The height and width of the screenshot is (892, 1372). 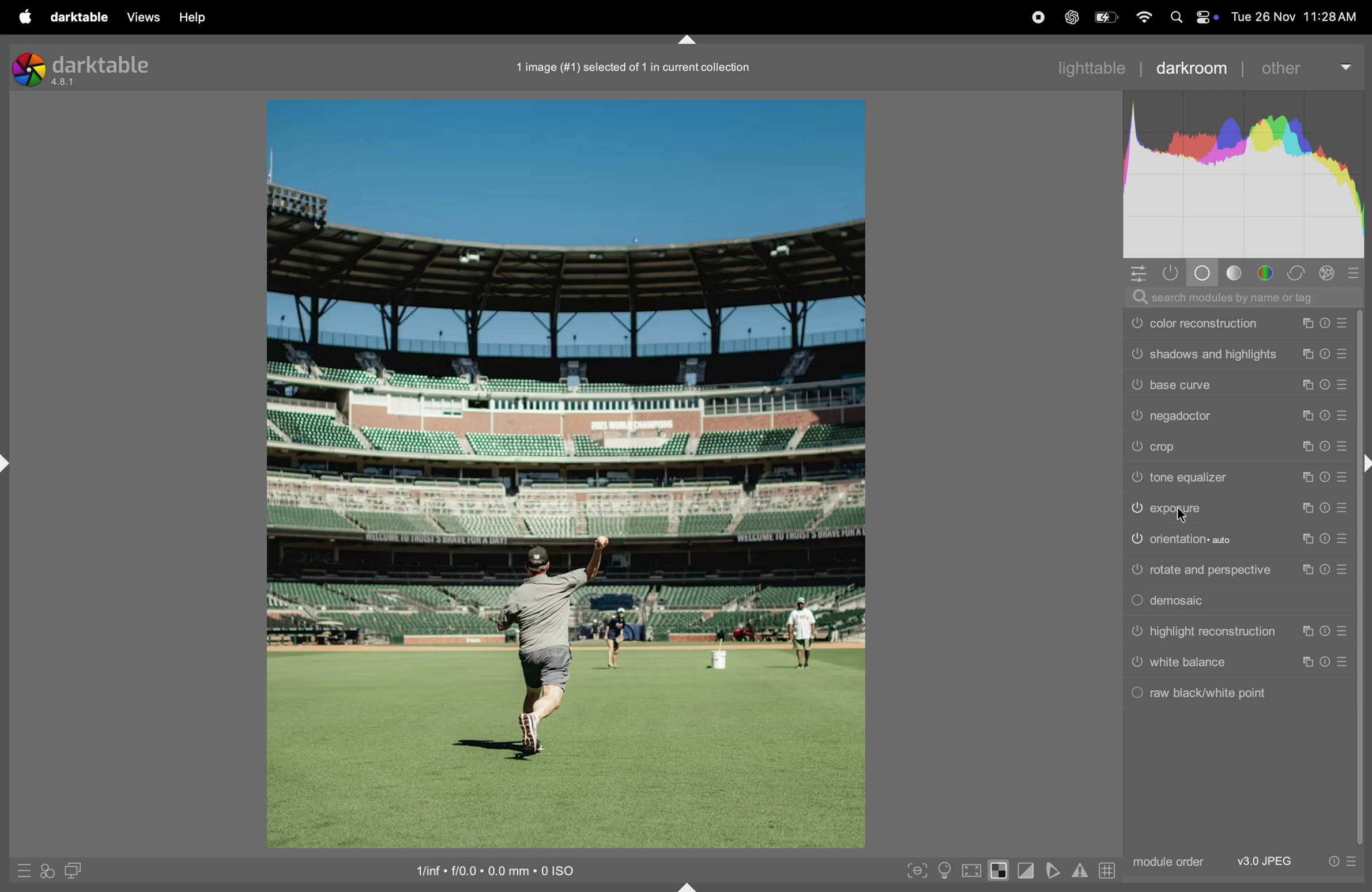 What do you see at coordinates (1189, 660) in the screenshot?
I see `white balance` at bounding box center [1189, 660].